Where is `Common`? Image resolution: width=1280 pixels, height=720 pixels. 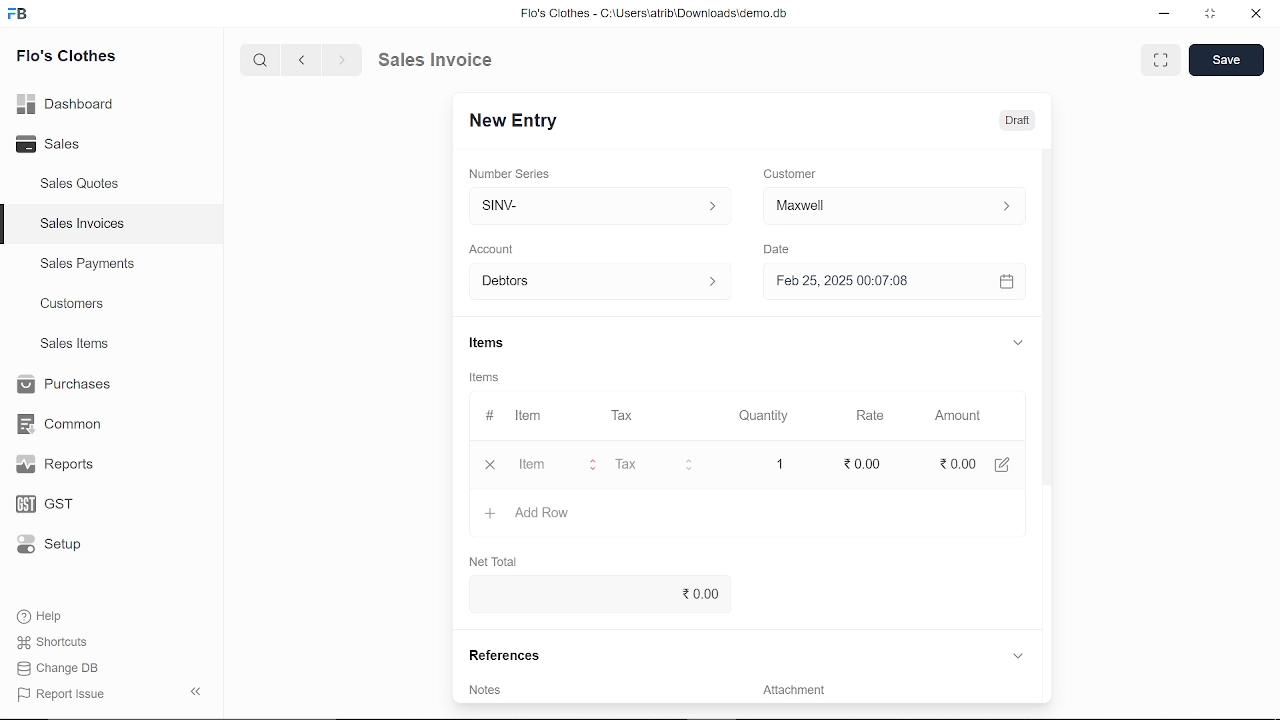 Common is located at coordinates (62, 424).